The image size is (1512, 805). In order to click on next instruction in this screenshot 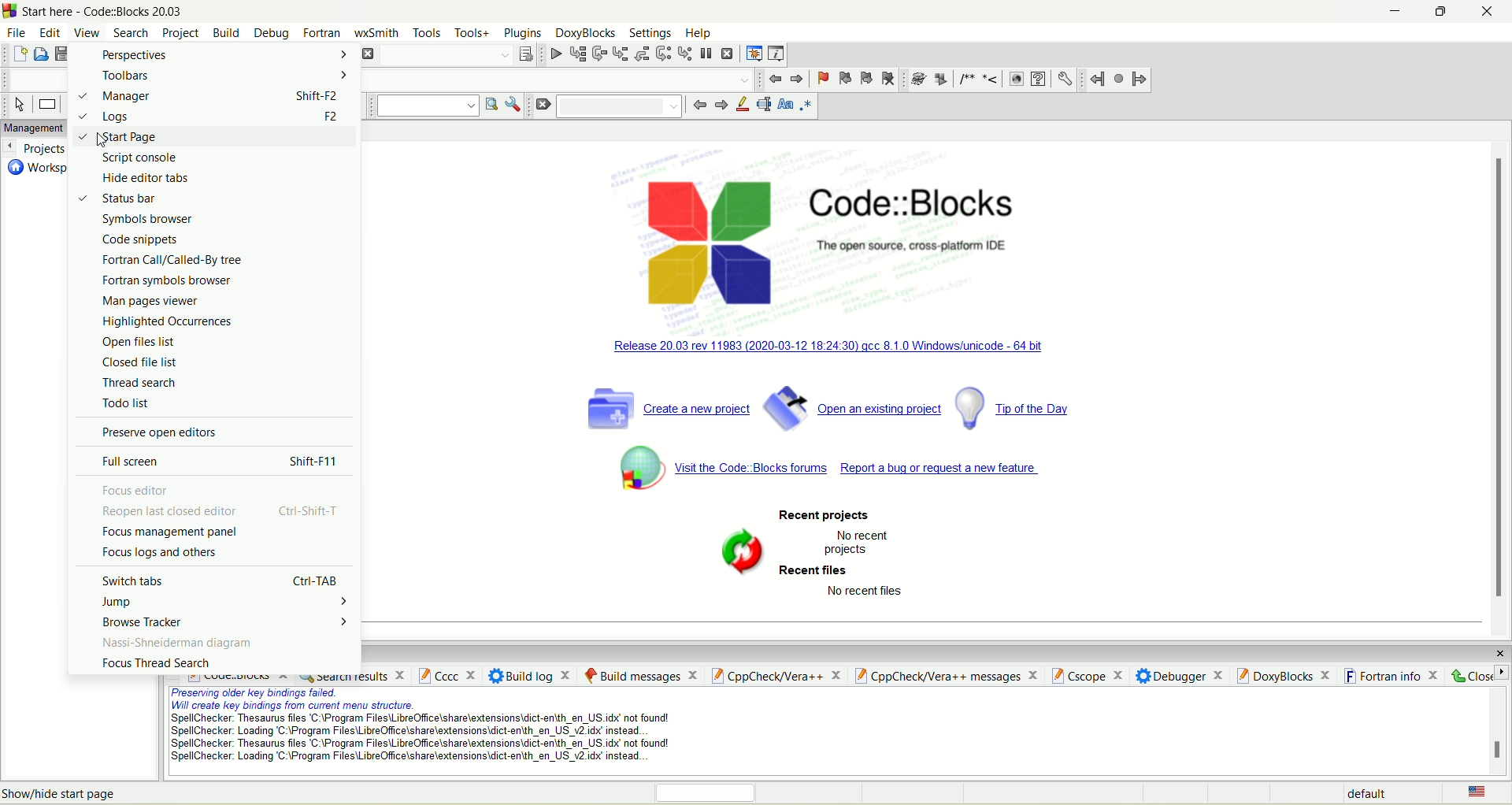, I will do `click(662, 54)`.